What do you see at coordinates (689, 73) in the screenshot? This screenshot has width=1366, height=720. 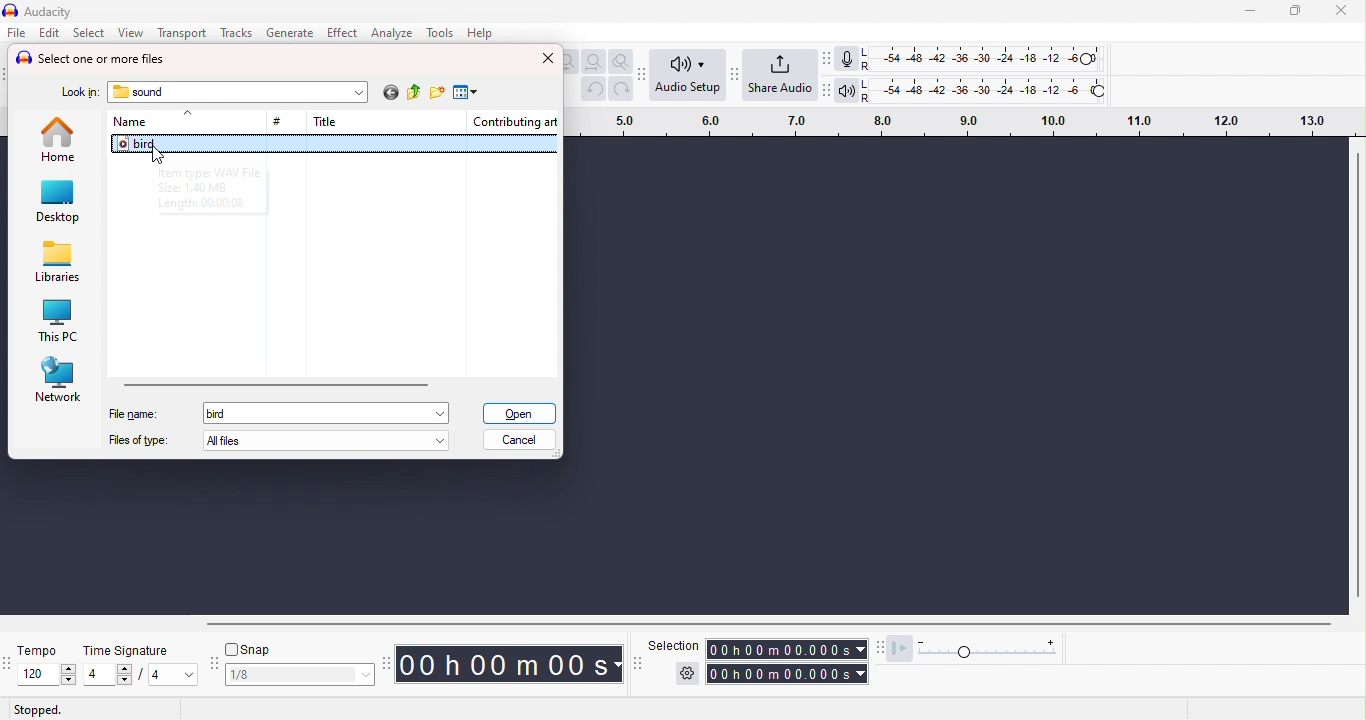 I see `Audio setup` at bounding box center [689, 73].